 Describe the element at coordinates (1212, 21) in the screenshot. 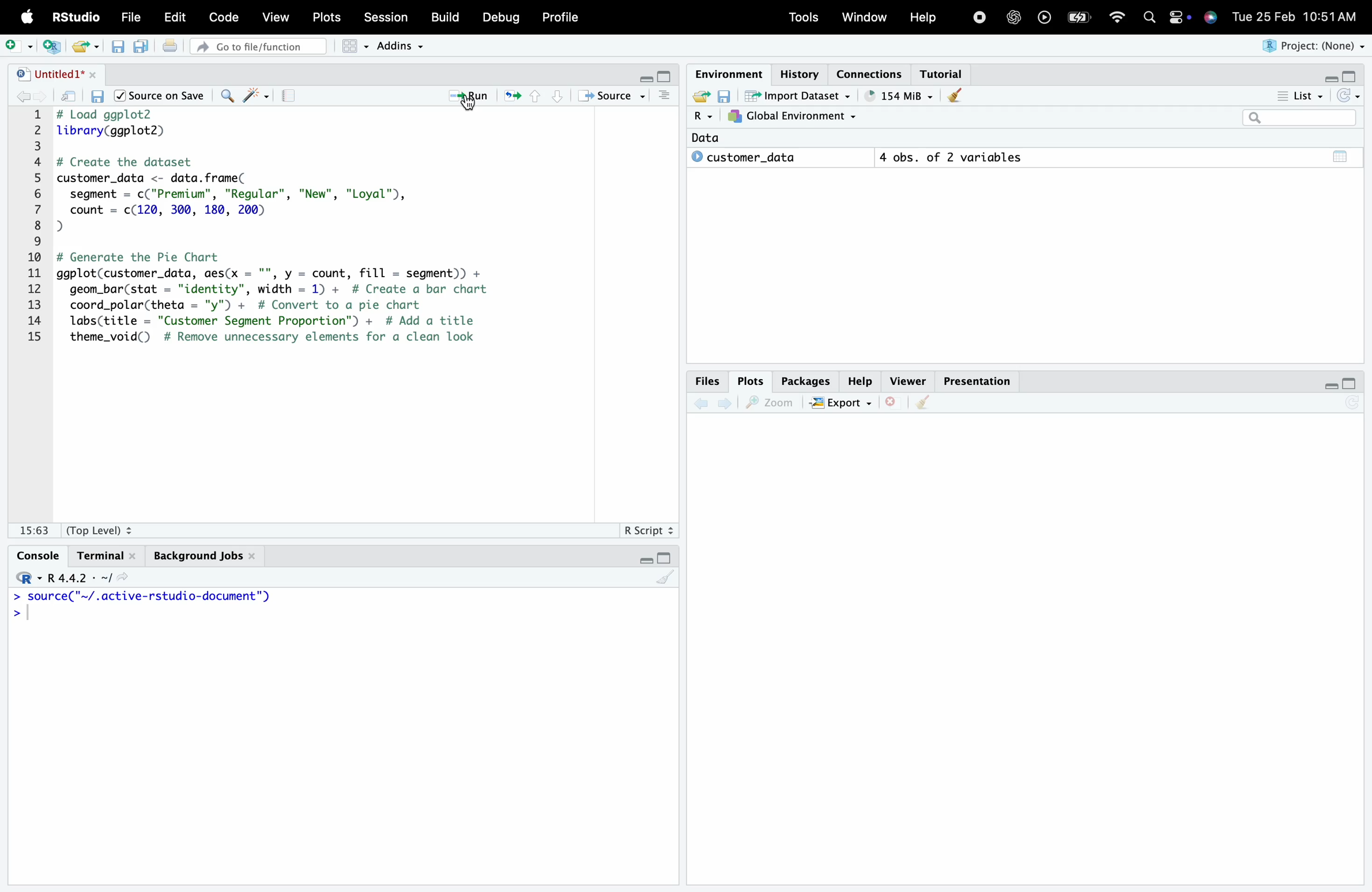

I see `siri` at that location.